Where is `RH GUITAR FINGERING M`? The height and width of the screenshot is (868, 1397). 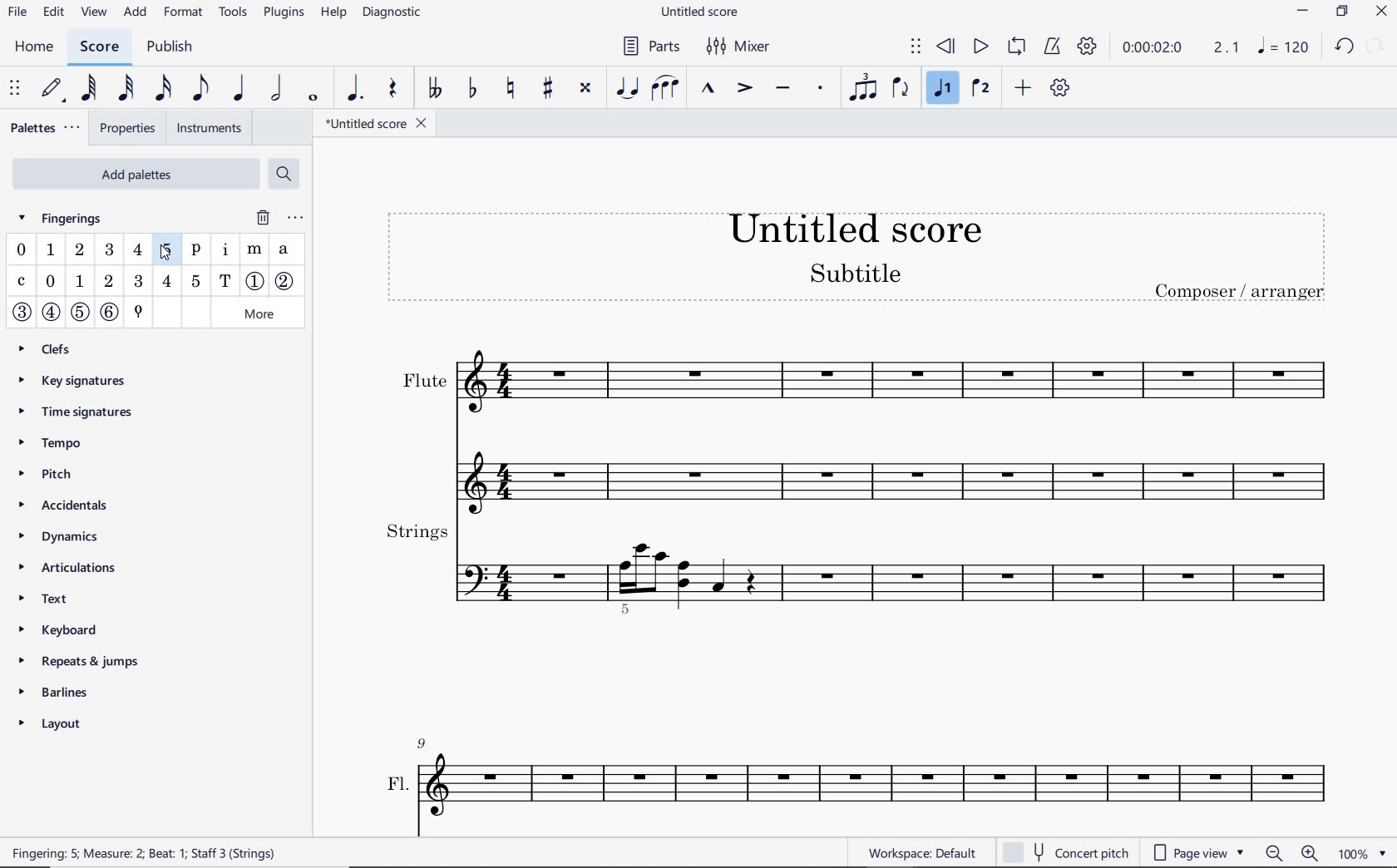 RH GUITAR FINGERING M is located at coordinates (256, 248).